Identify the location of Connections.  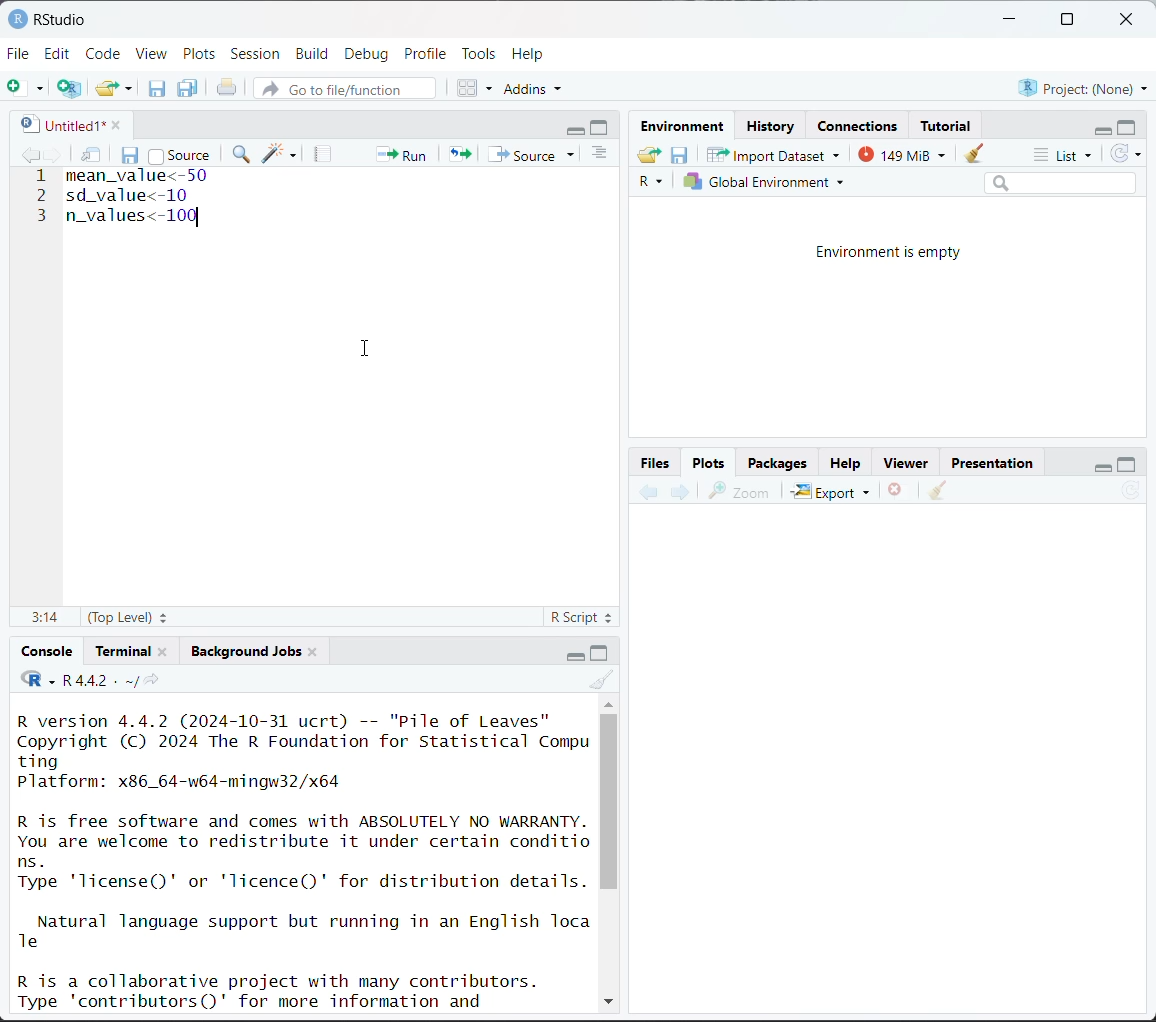
(860, 126).